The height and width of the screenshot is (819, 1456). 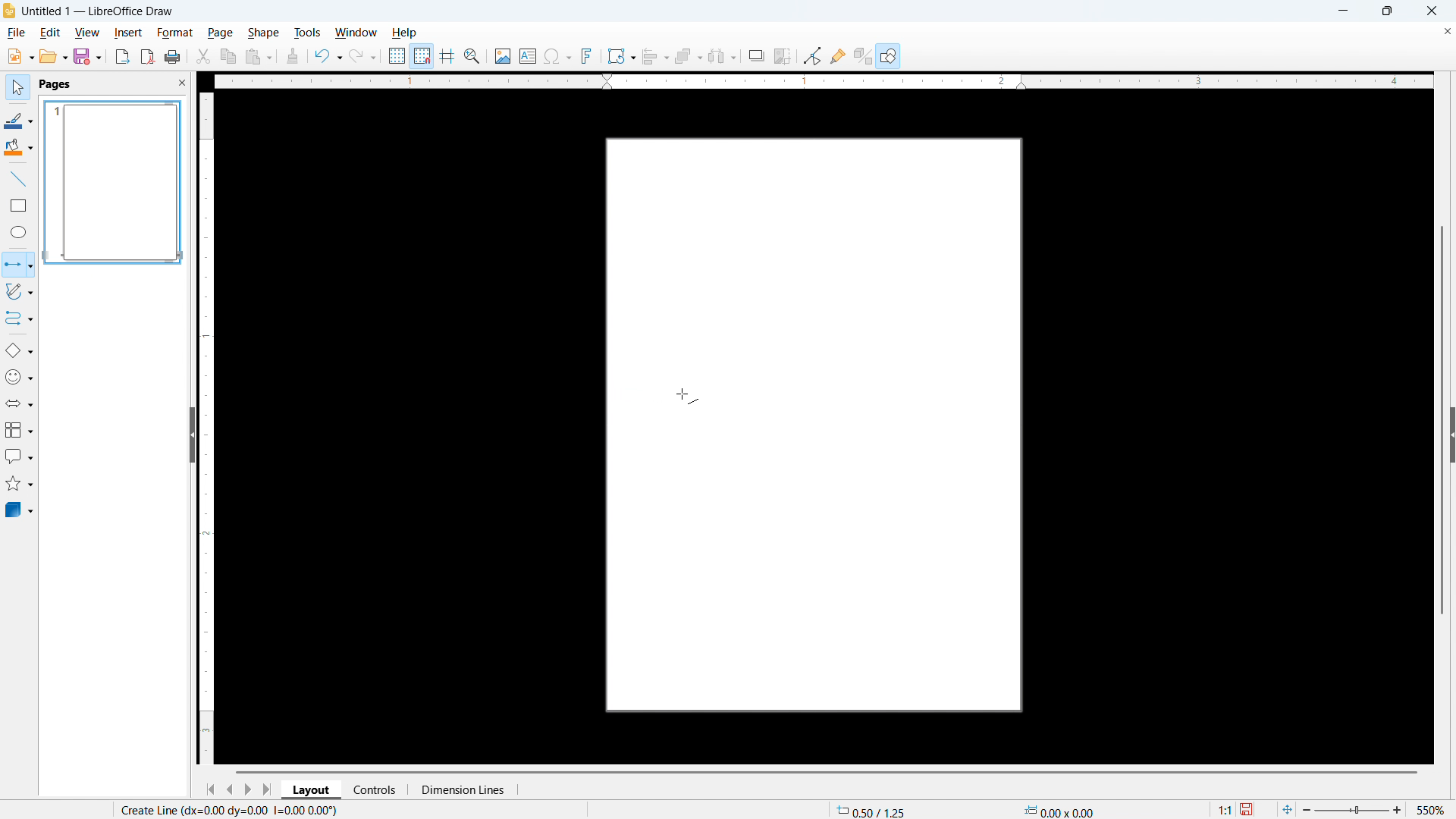 What do you see at coordinates (587, 55) in the screenshot?
I see `Insert font work text ` at bounding box center [587, 55].